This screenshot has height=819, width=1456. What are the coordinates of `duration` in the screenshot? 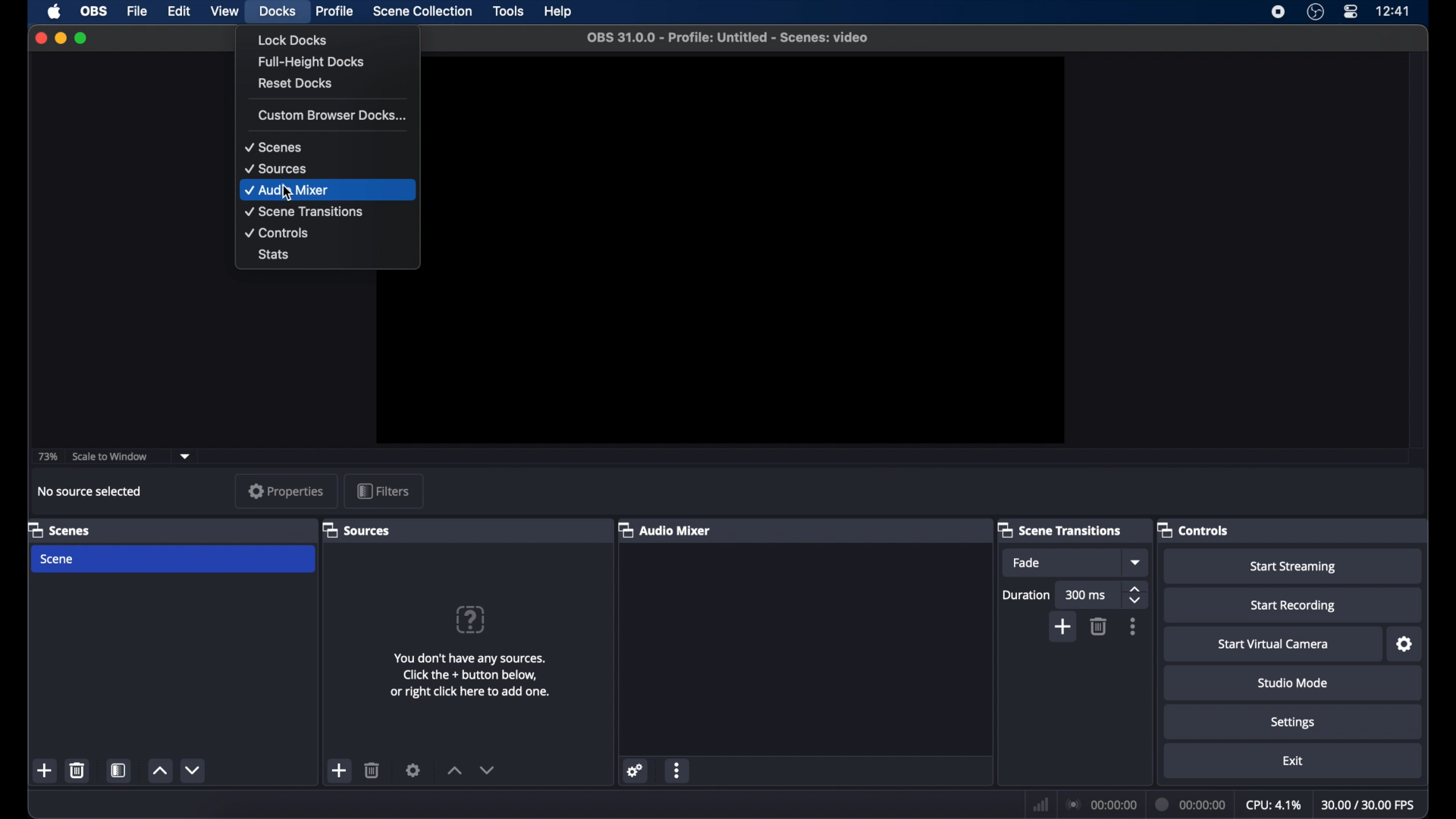 It's located at (1027, 595).